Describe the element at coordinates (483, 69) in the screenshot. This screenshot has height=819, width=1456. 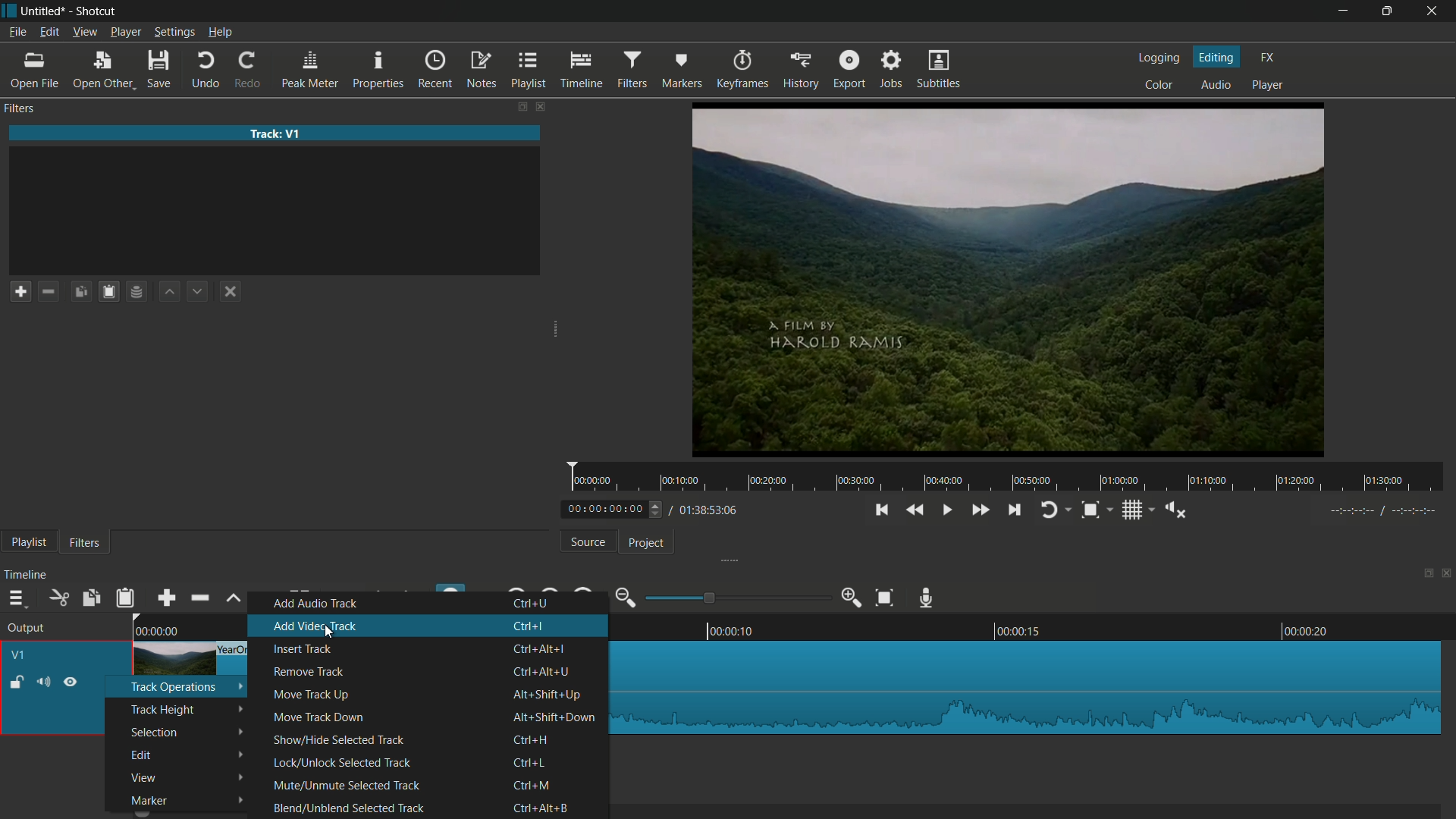
I see `notes` at that location.